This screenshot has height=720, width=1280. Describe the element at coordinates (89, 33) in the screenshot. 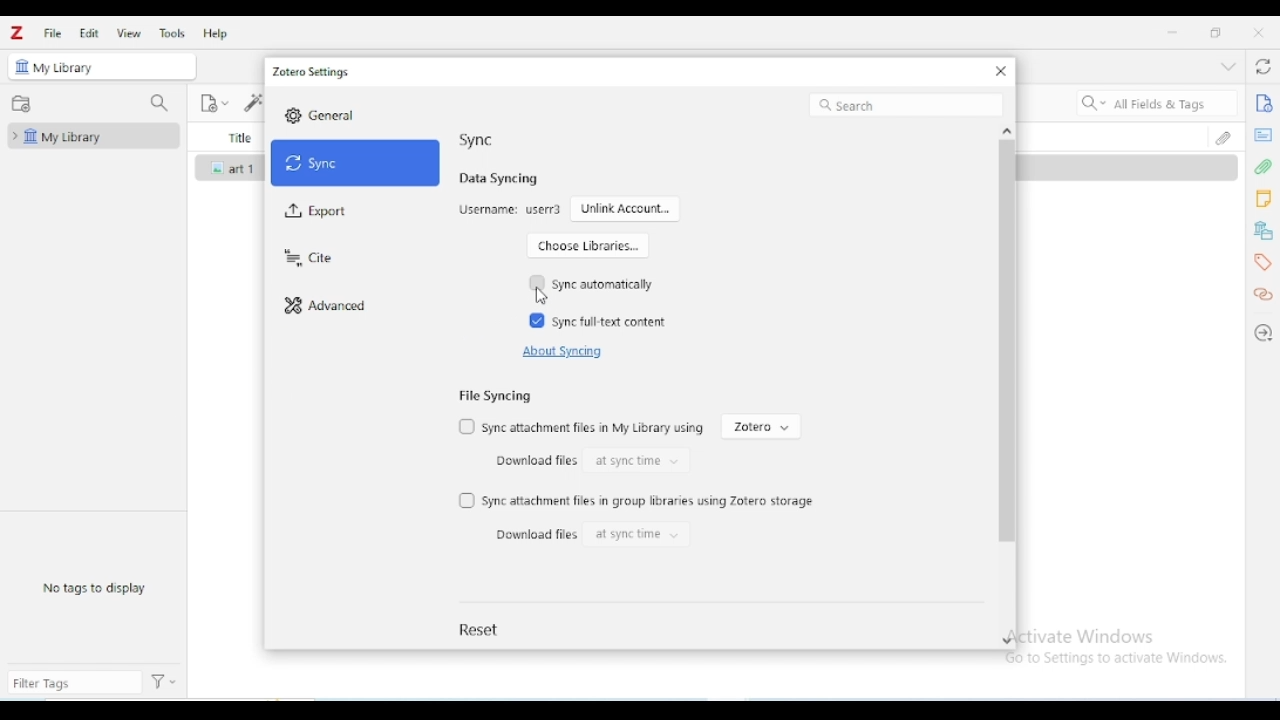

I see `edit` at that location.